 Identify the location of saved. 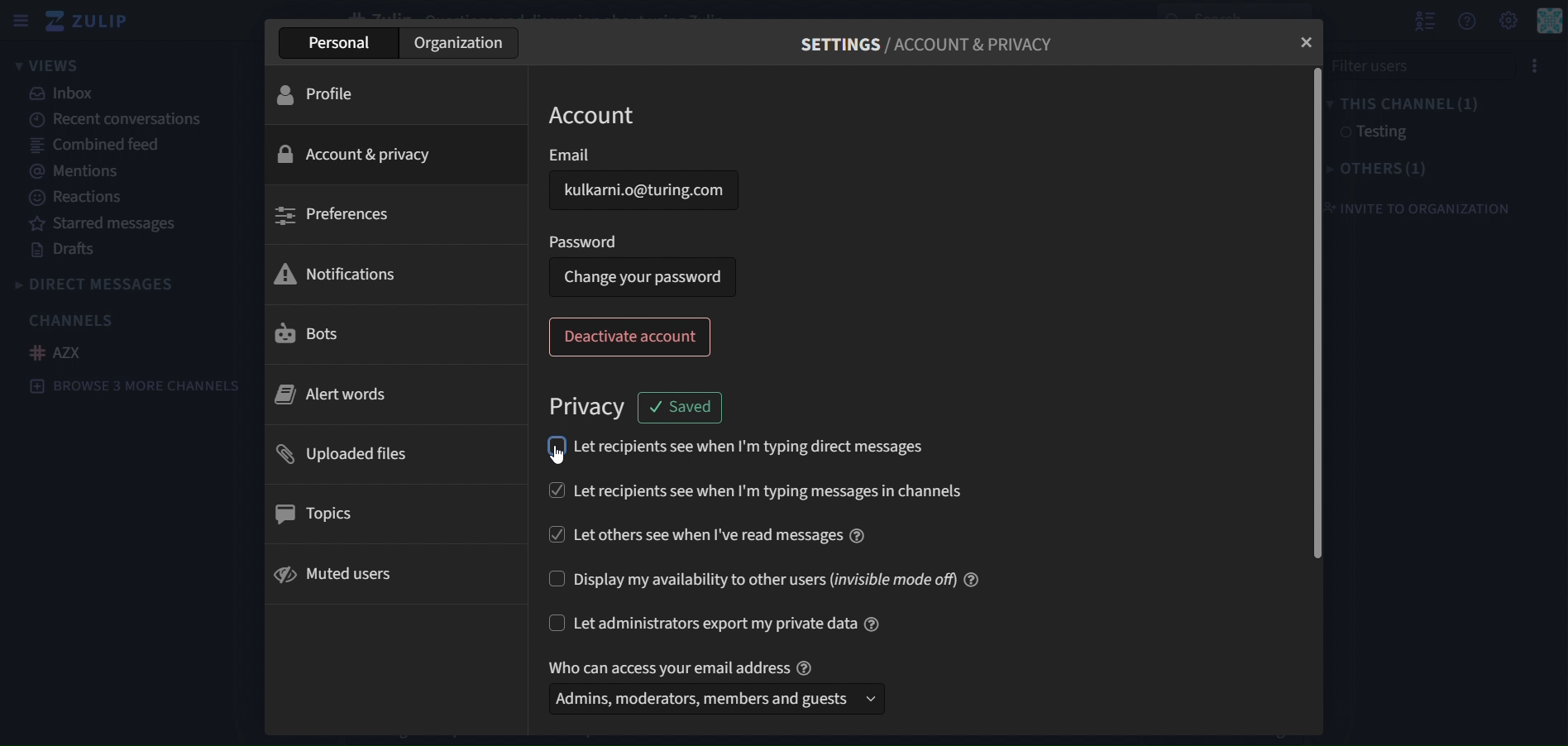
(682, 409).